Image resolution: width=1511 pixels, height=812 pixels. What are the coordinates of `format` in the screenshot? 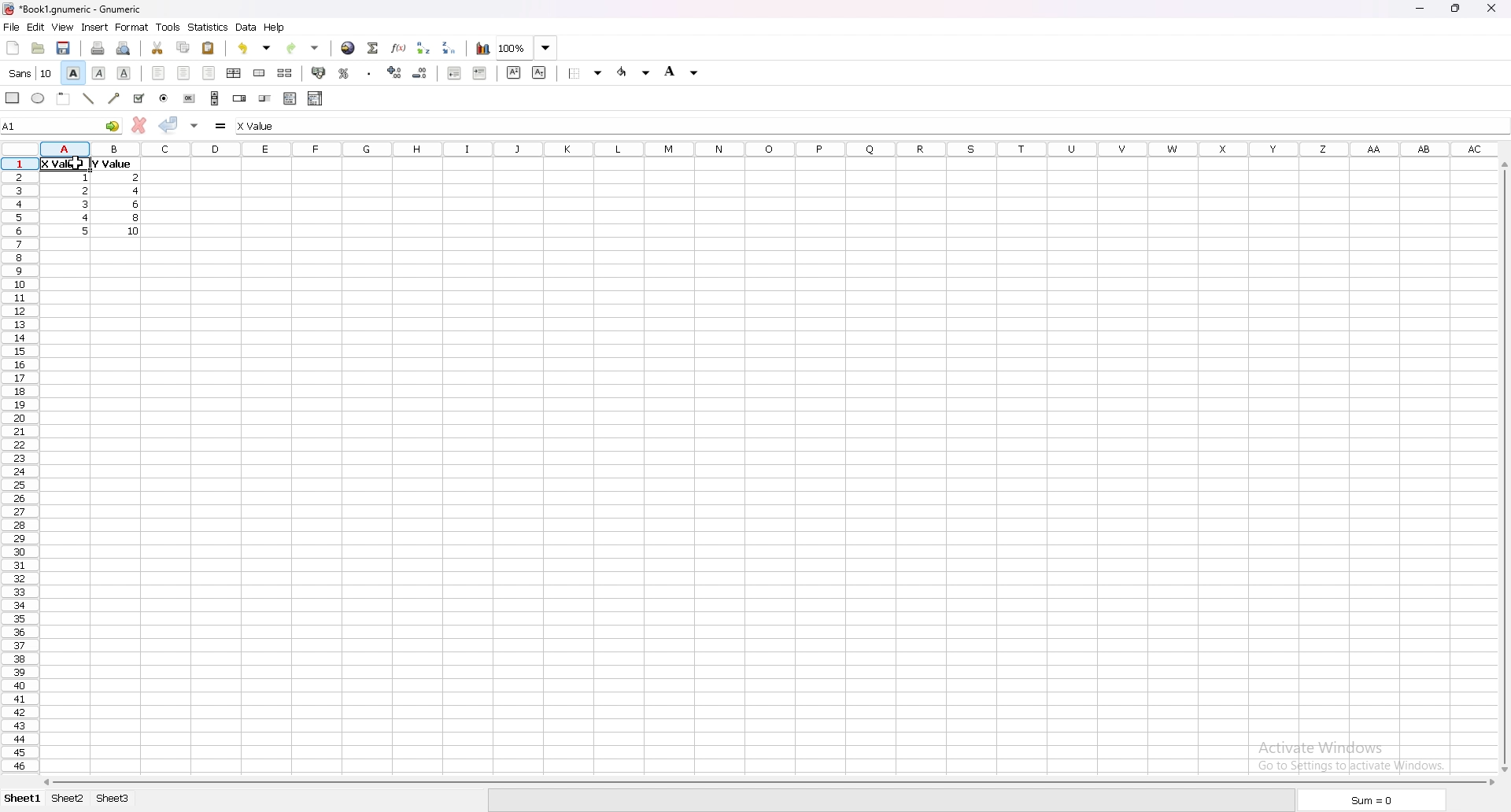 It's located at (132, 27).